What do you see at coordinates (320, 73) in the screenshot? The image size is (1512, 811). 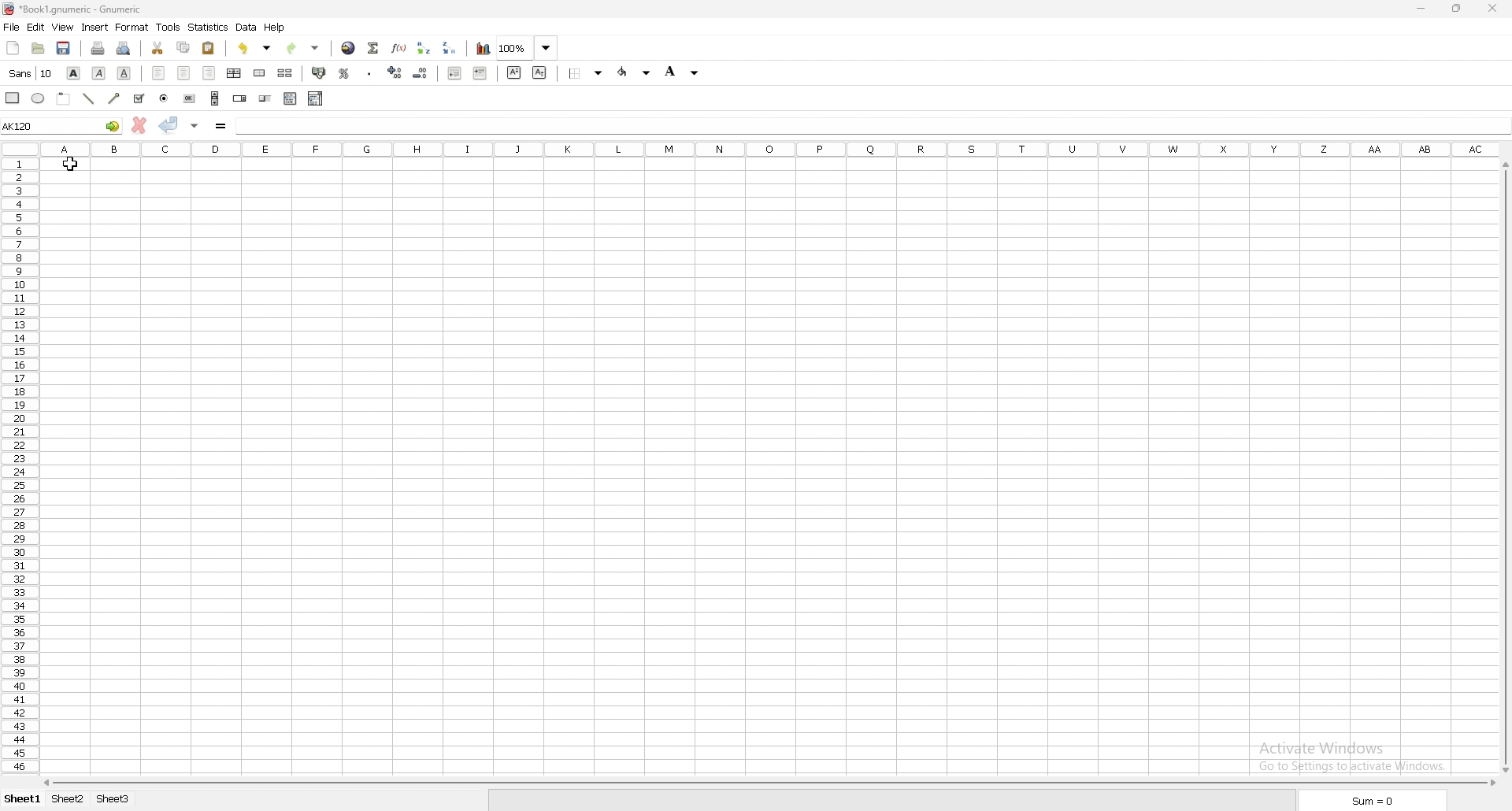 I see `accounting` at bounding box center [320, 73].